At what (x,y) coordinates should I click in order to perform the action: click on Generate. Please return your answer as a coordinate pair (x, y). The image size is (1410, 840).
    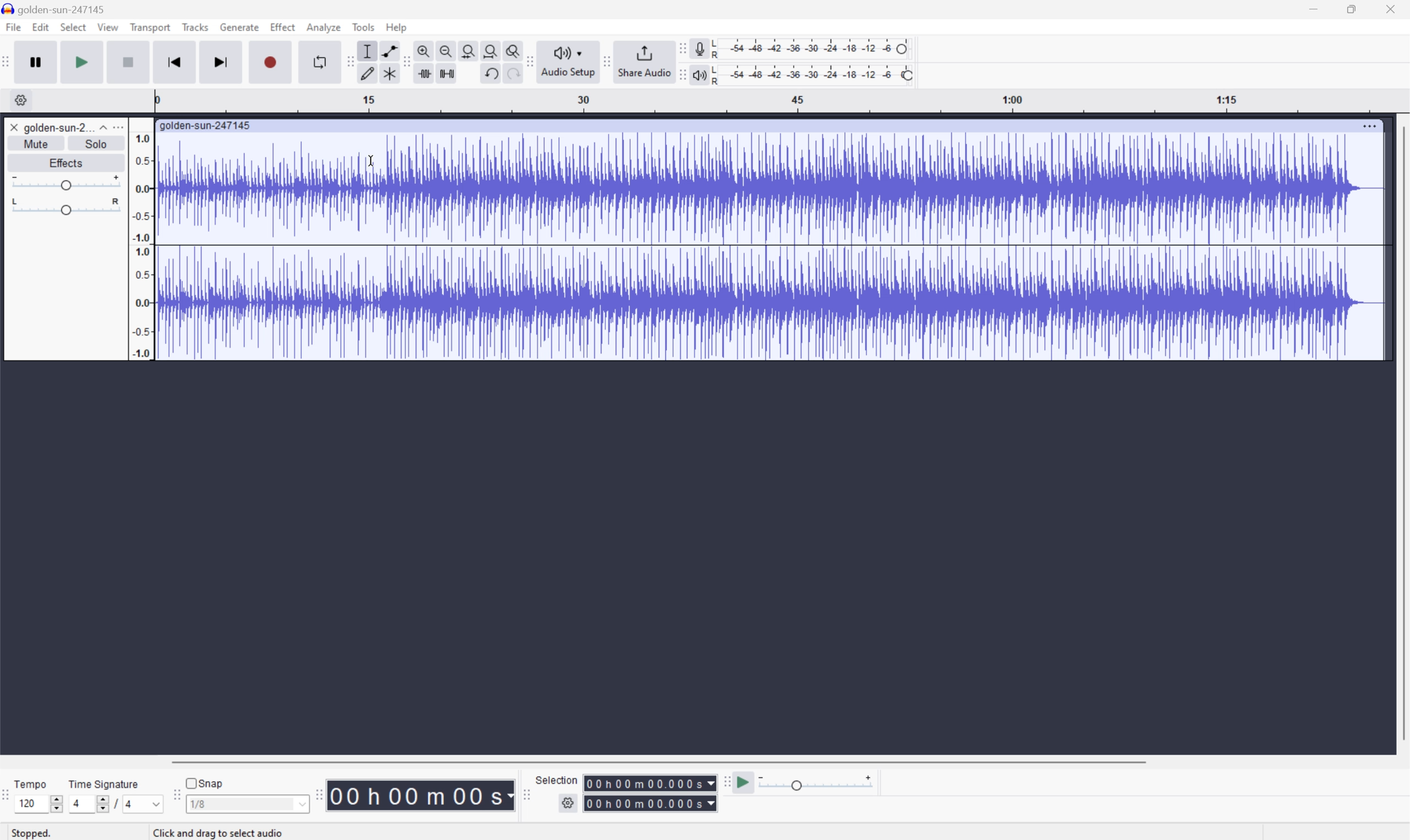
    Looking at the image, I should click on (241, 27).